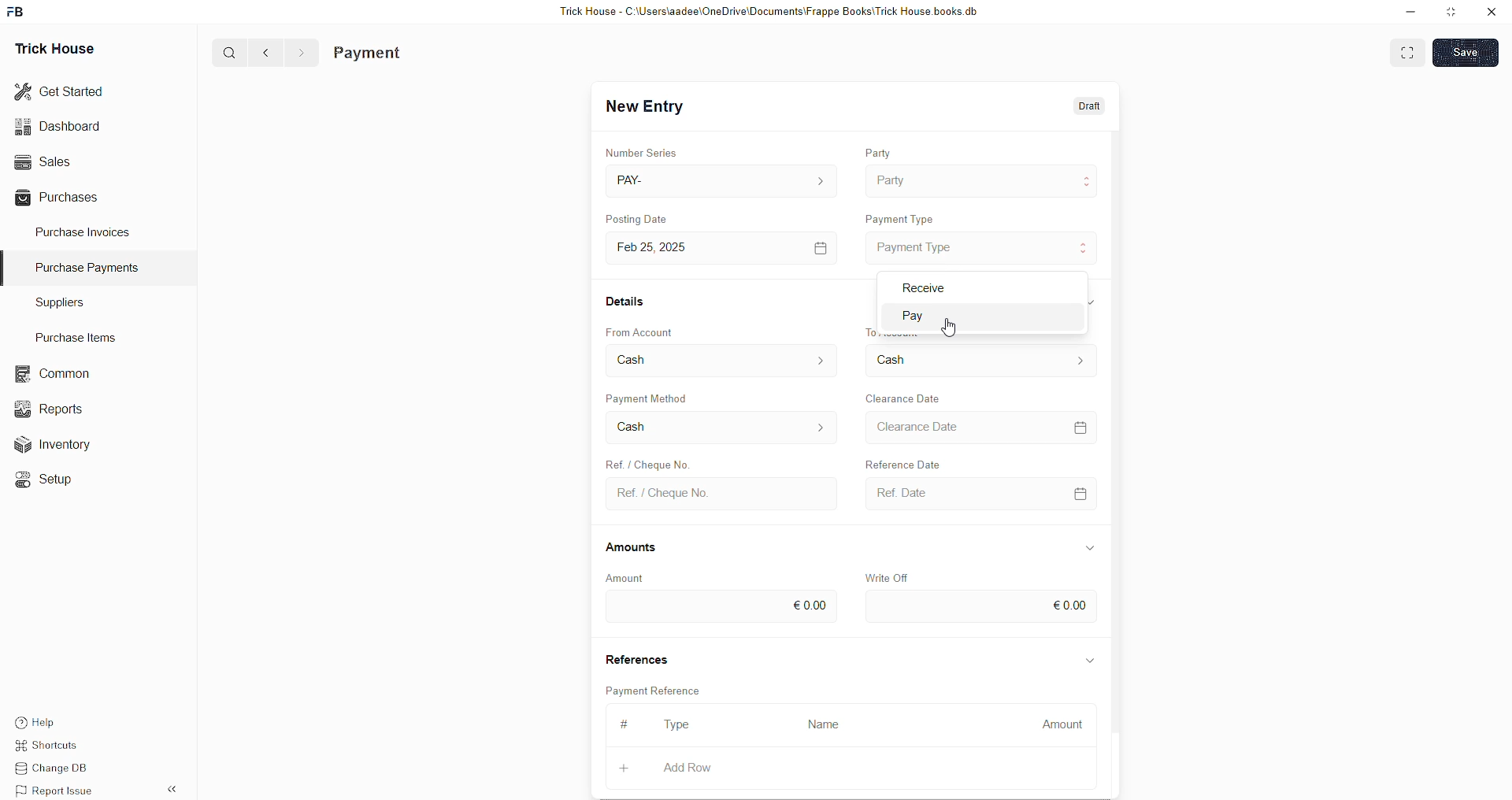 Image resolution: width=1512 pixels, height=800 pixels. I want to click on Cash, so click(637, 426).